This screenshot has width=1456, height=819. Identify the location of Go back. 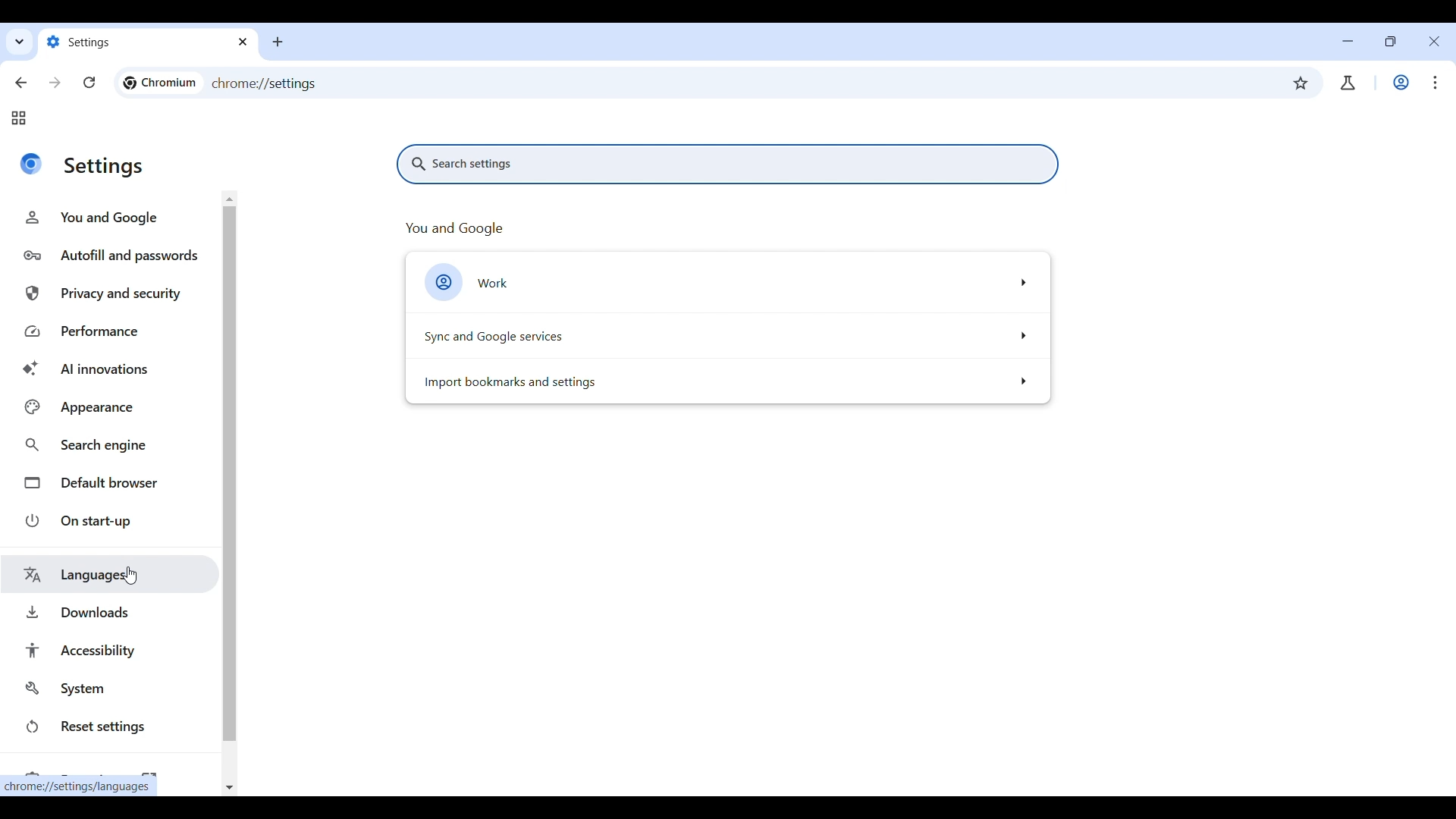
(22, 83).